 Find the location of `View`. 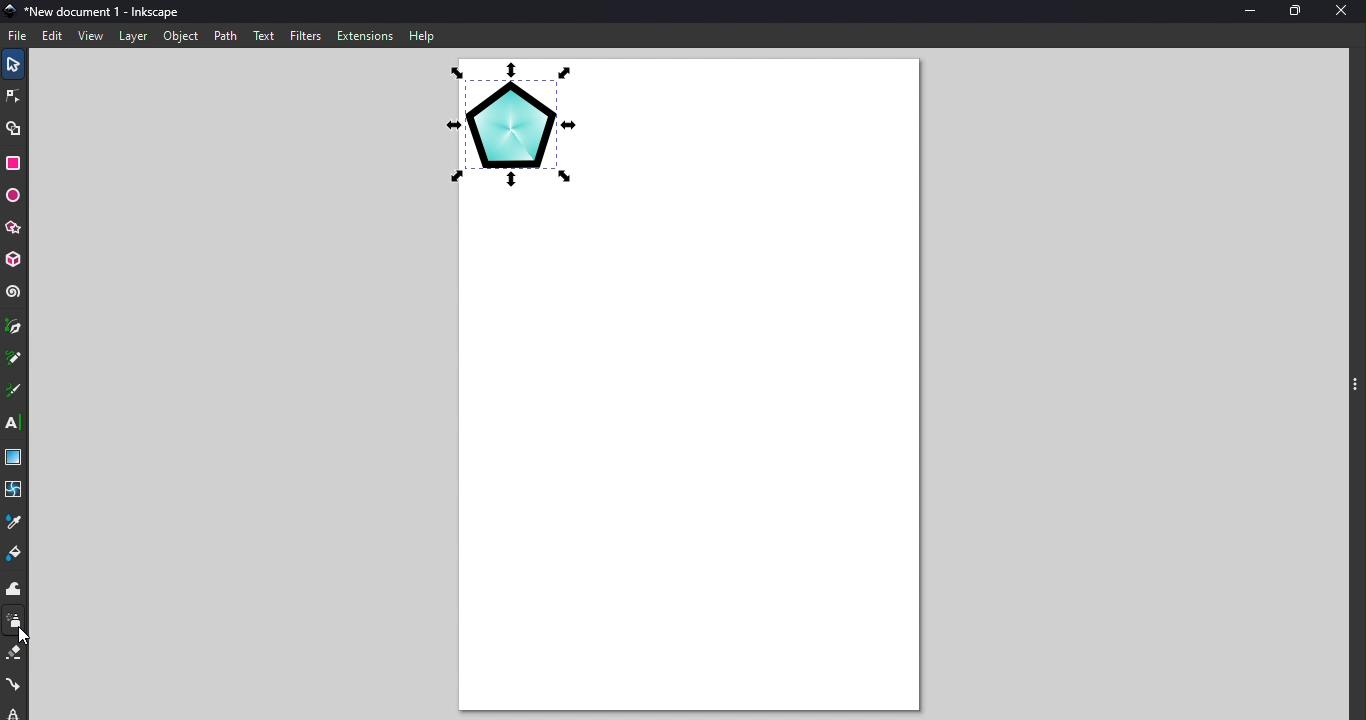

View is located at coordinates (88, 36).